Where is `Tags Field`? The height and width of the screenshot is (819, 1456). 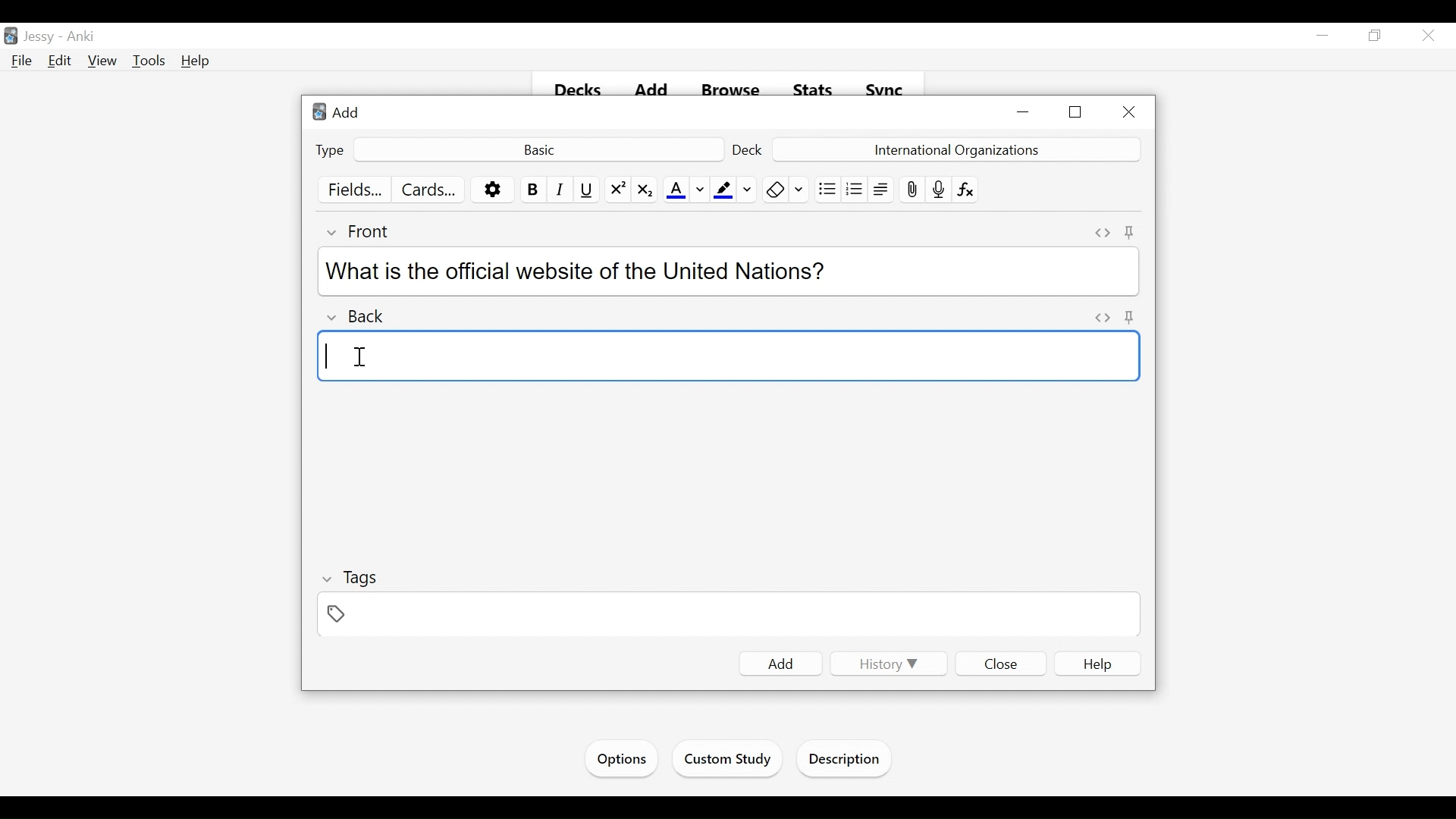
Tags Field is located at coordinates (730, 617).